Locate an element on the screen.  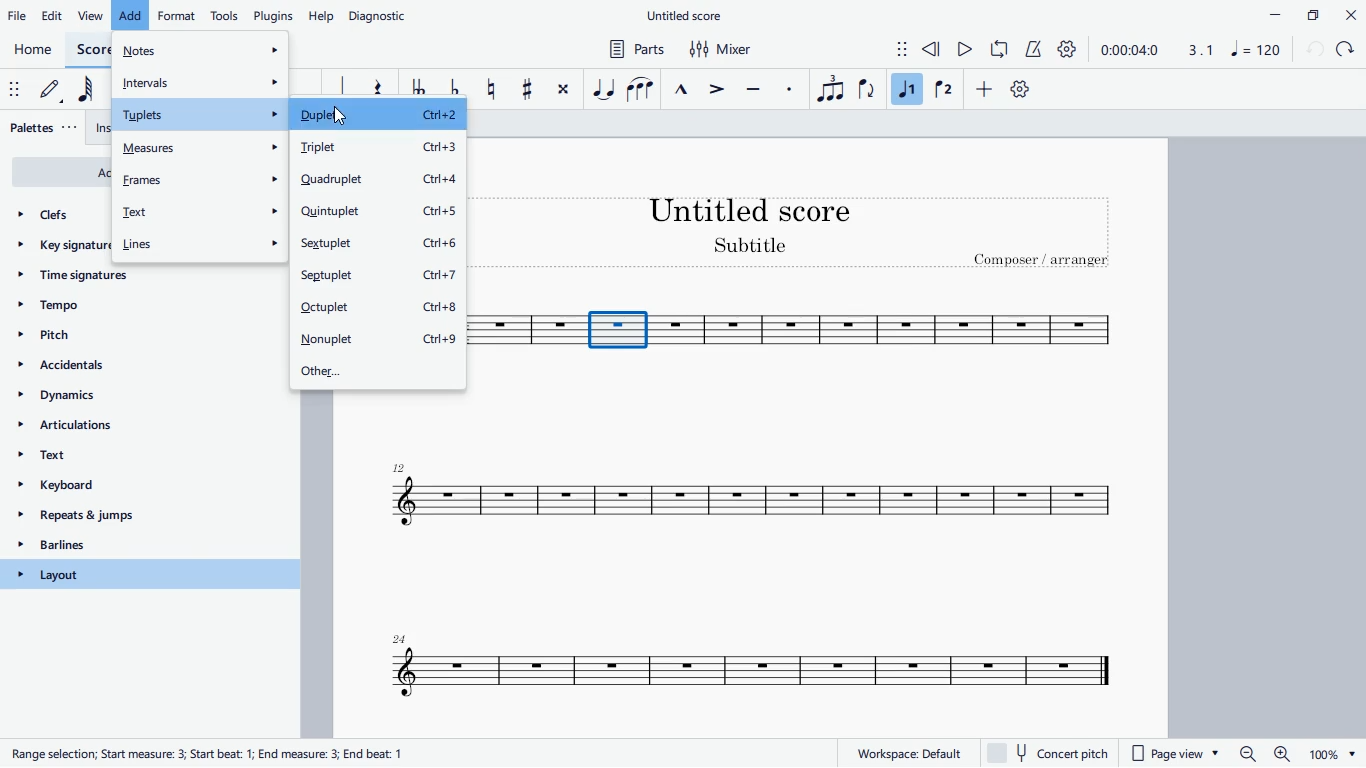
default is located at coordinates (54, 93).